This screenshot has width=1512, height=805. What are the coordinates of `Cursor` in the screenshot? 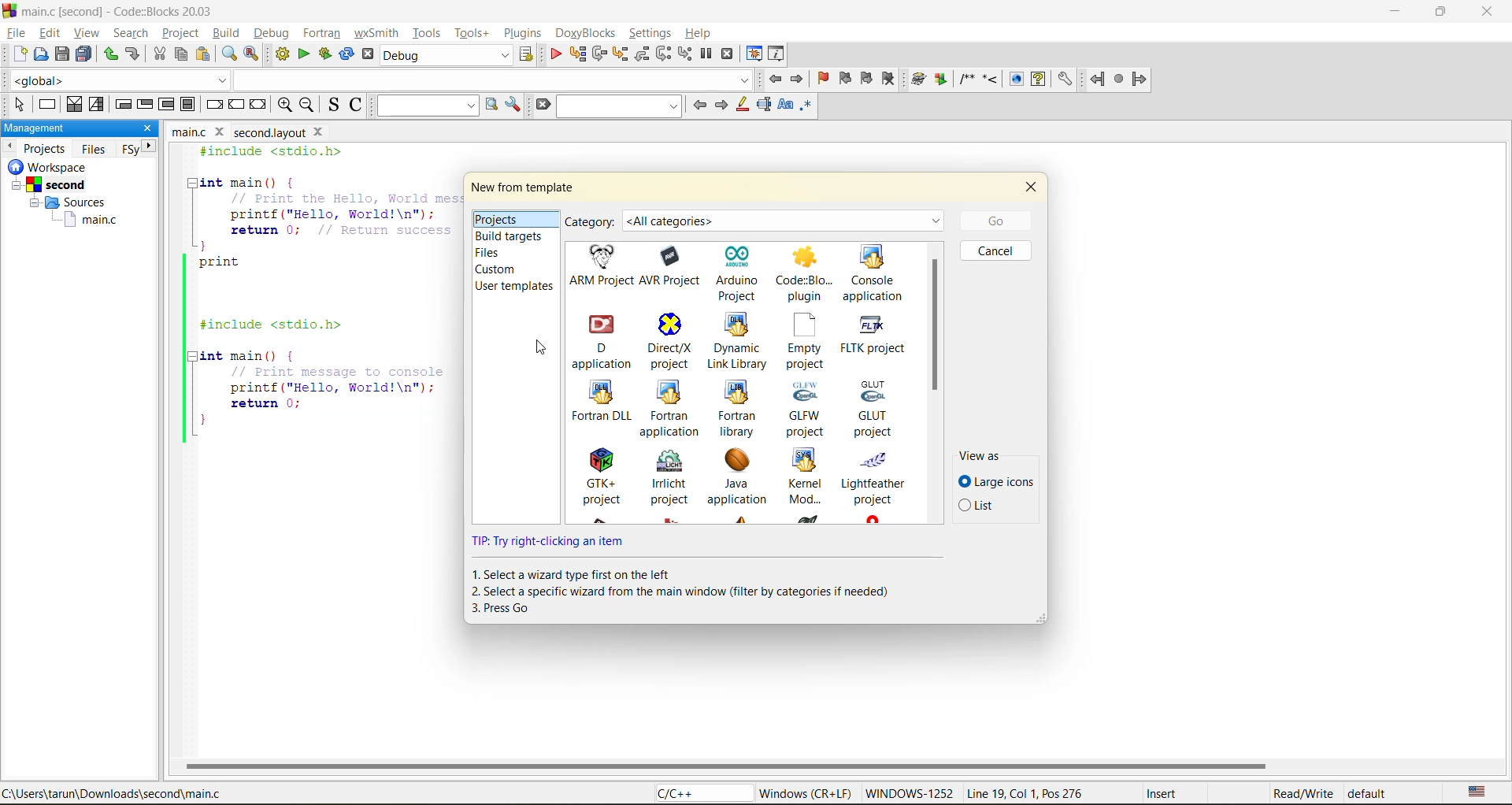 It's located at (540, 349).